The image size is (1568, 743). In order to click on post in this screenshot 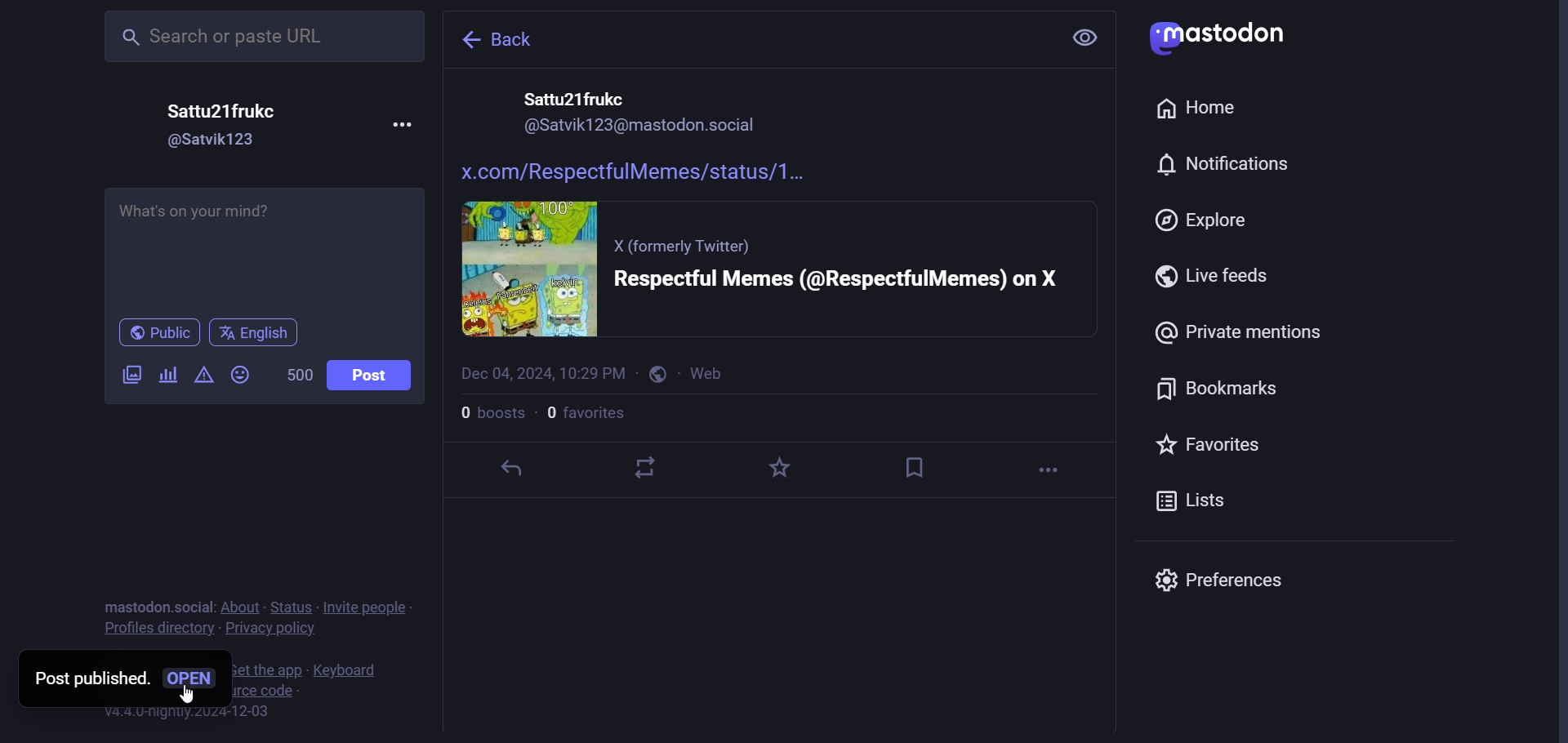, I will do `click(778, 269)`.